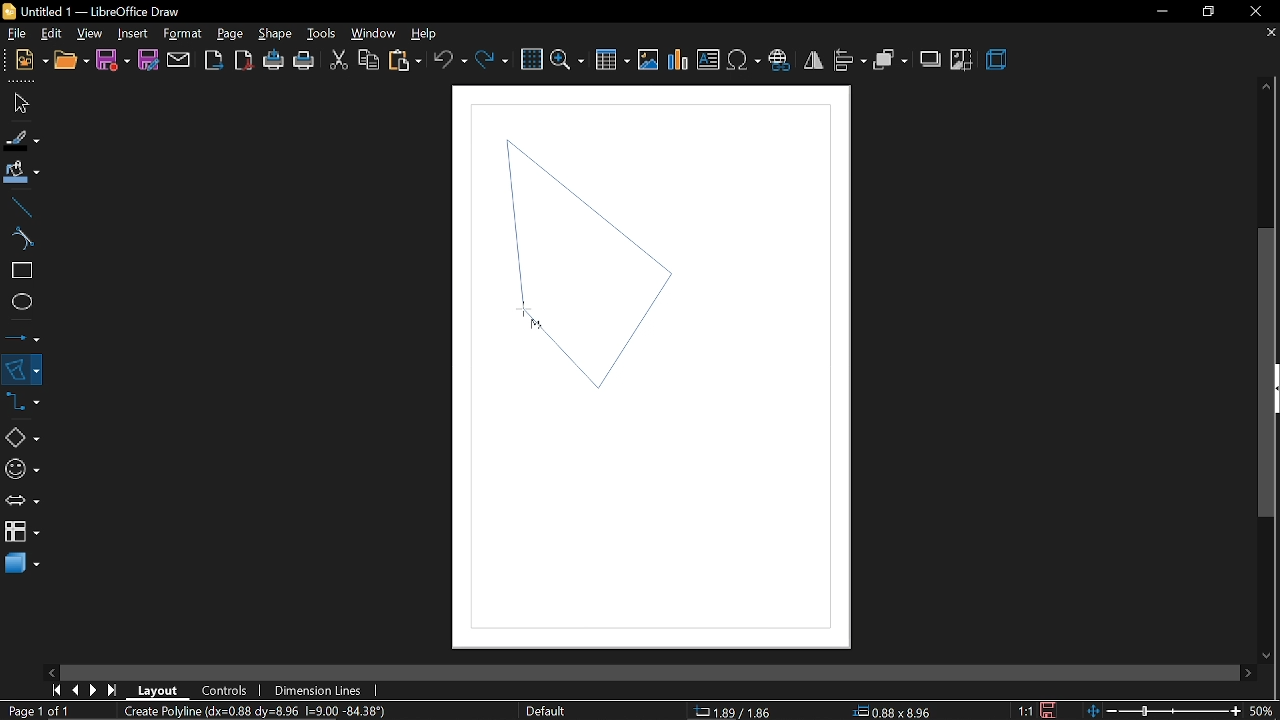 This screenshot has width=1280, height=720. I want to click on change zoom, so click(1163, 709).